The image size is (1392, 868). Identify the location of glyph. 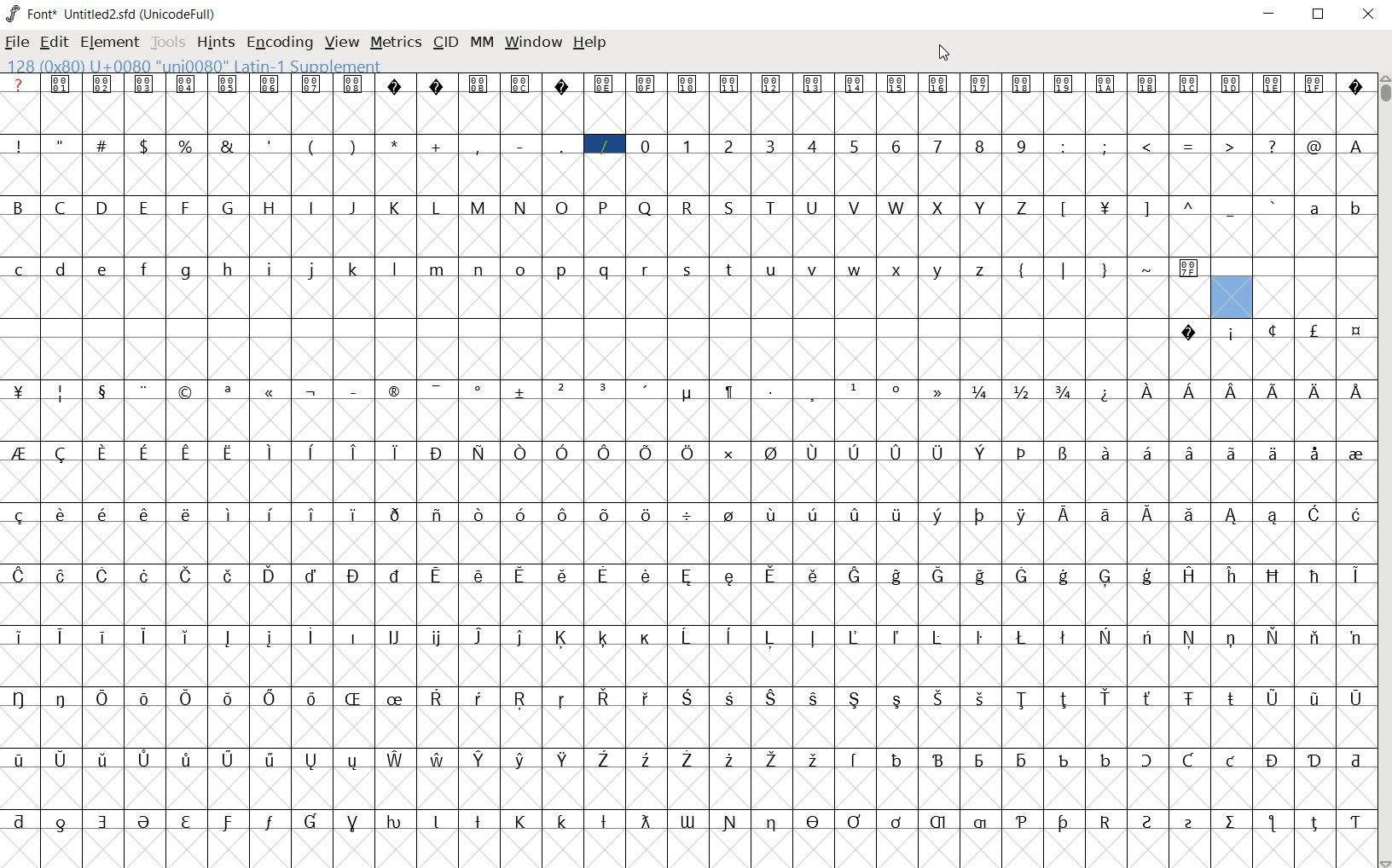
(896, 207).